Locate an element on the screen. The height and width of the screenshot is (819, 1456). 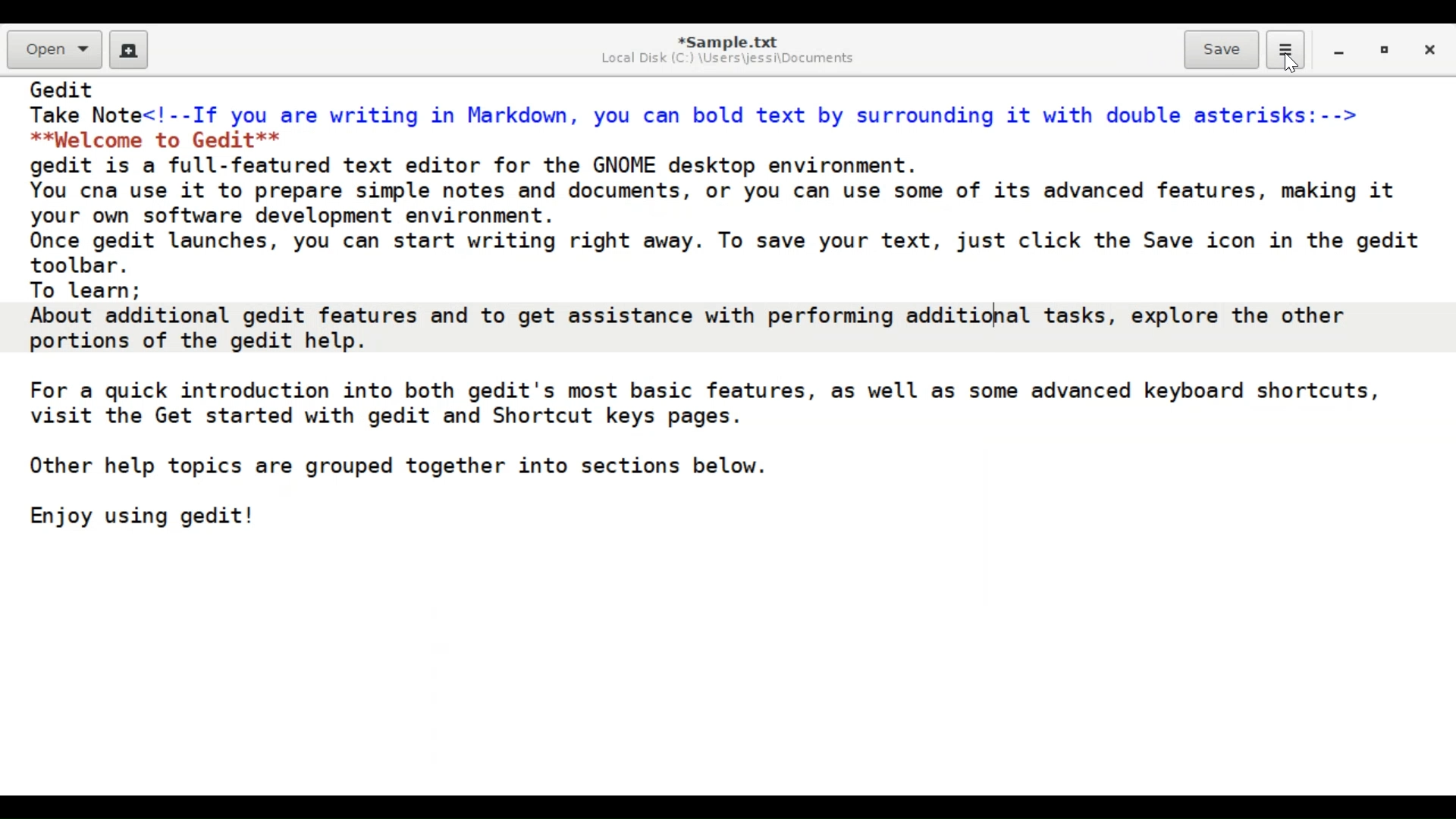
Local Disk (C2) \Users\jessi\Documents is located at coordinates (725, 58).